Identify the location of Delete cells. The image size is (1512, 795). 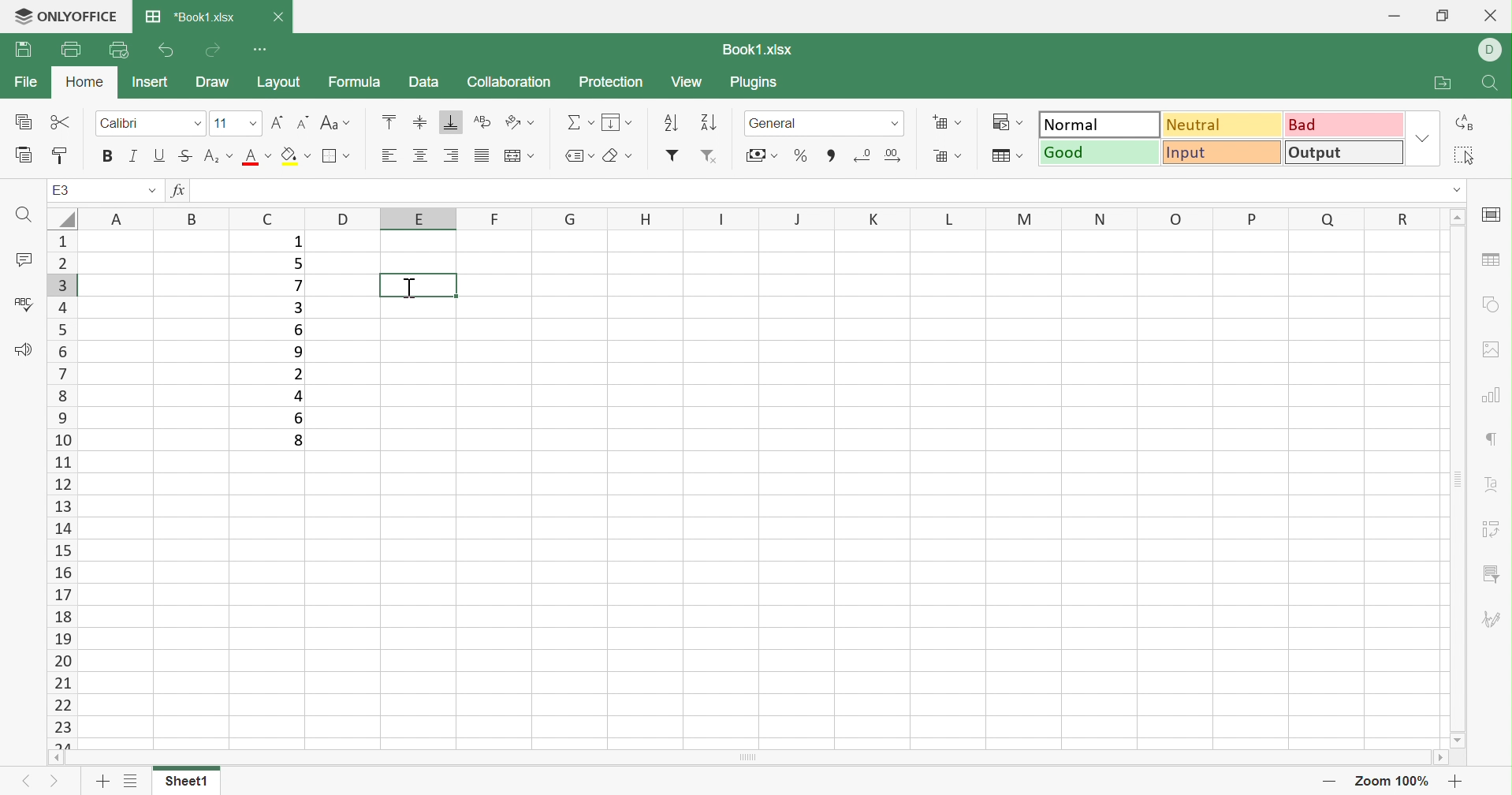
(950, 155).